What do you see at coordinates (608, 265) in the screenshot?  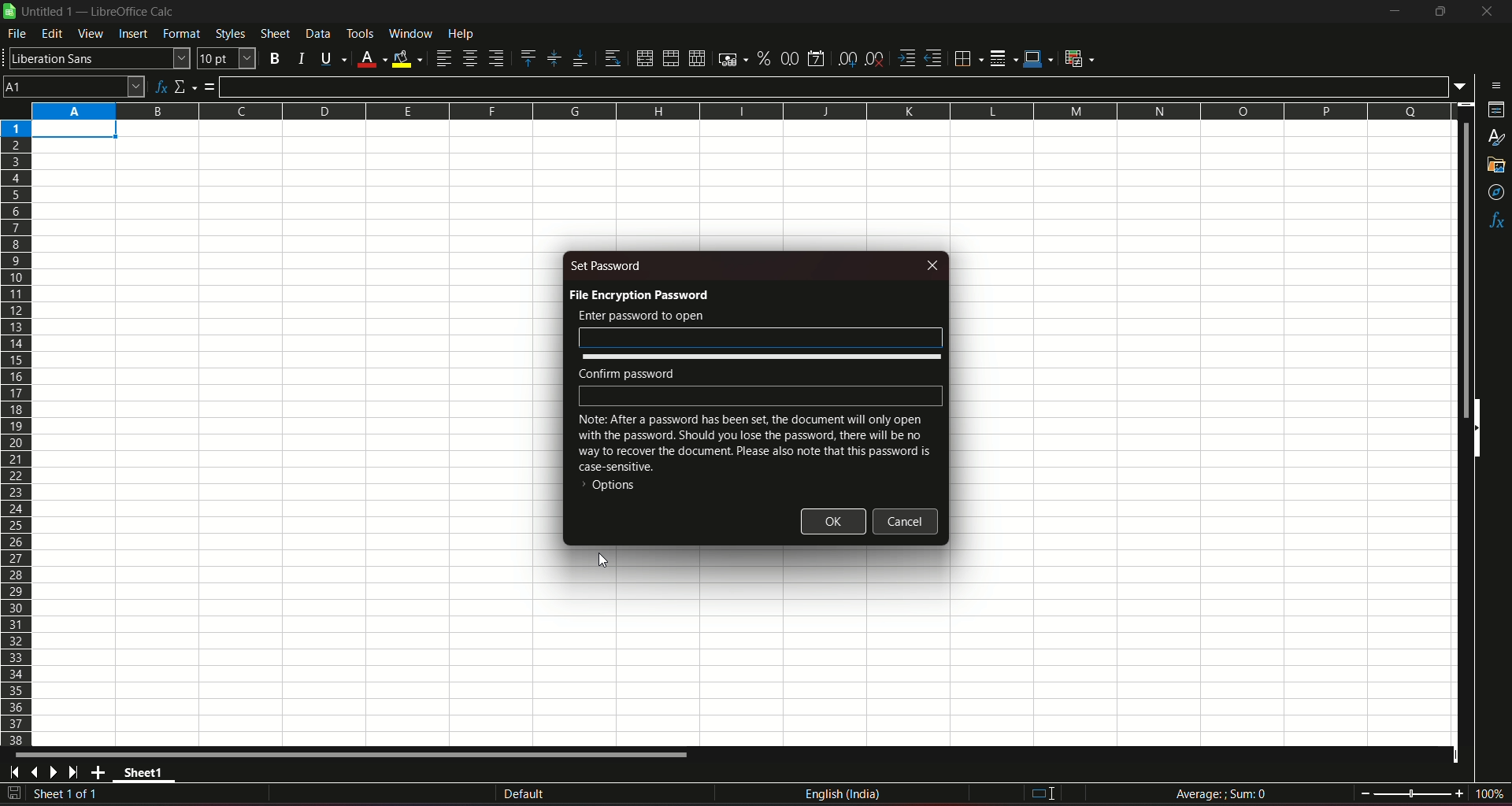 I see `set password` at bounding box center [608, 265].